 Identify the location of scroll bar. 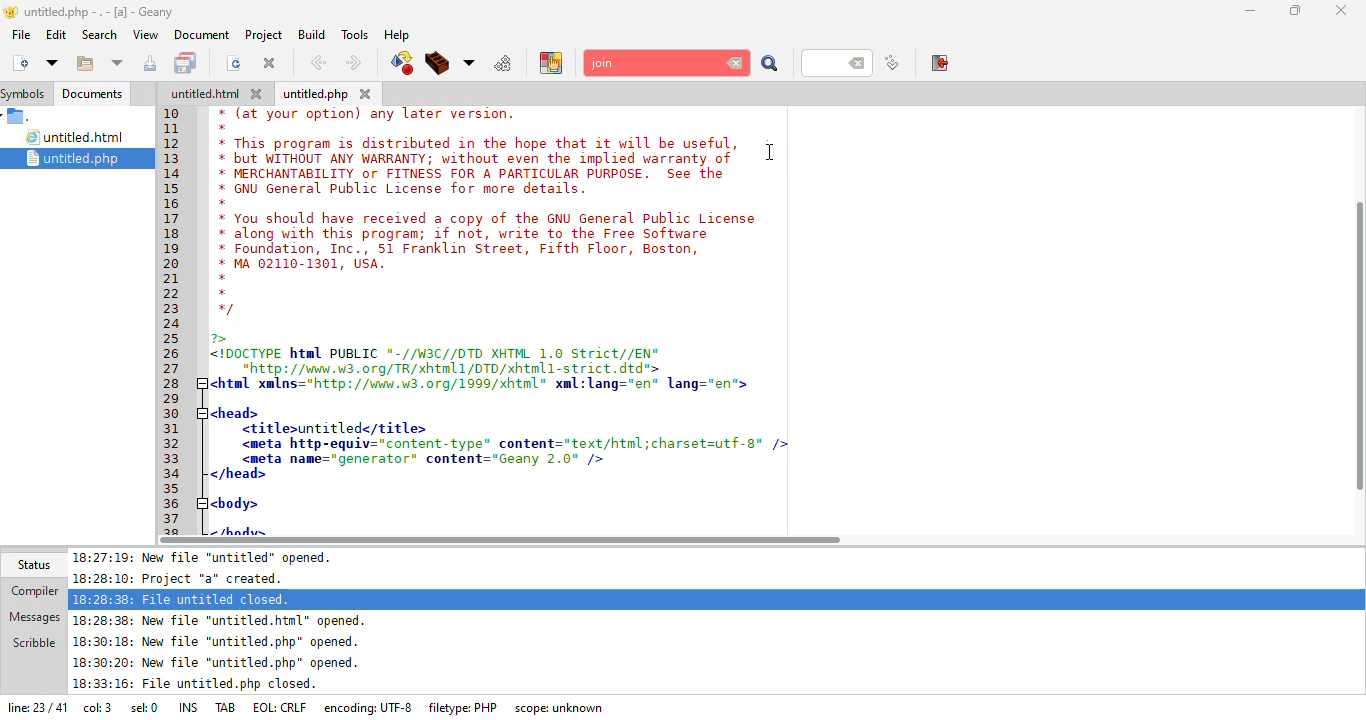
(1362, 338).